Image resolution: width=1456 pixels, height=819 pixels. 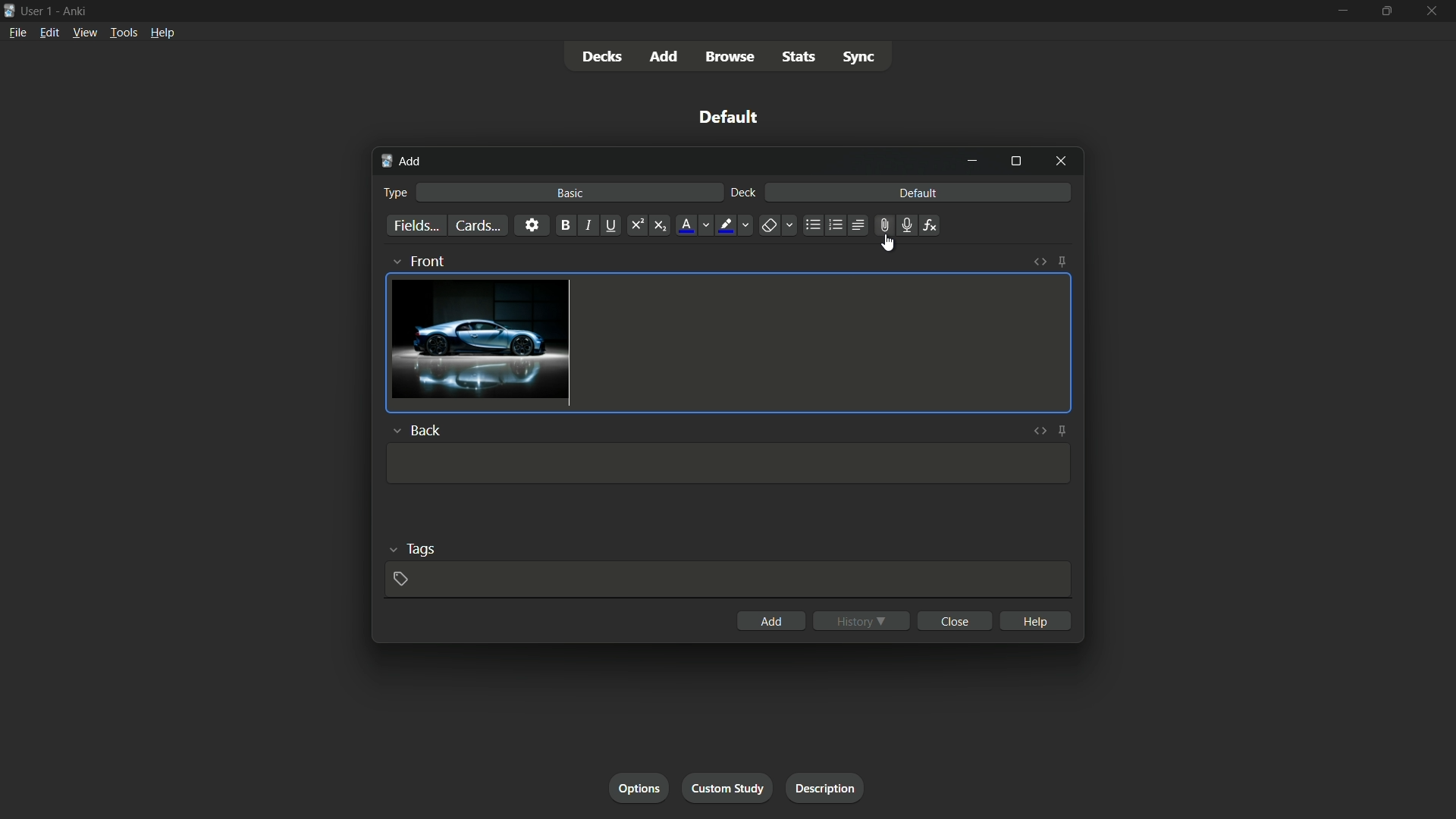 I want to click on description, so click(x=822, y=786).